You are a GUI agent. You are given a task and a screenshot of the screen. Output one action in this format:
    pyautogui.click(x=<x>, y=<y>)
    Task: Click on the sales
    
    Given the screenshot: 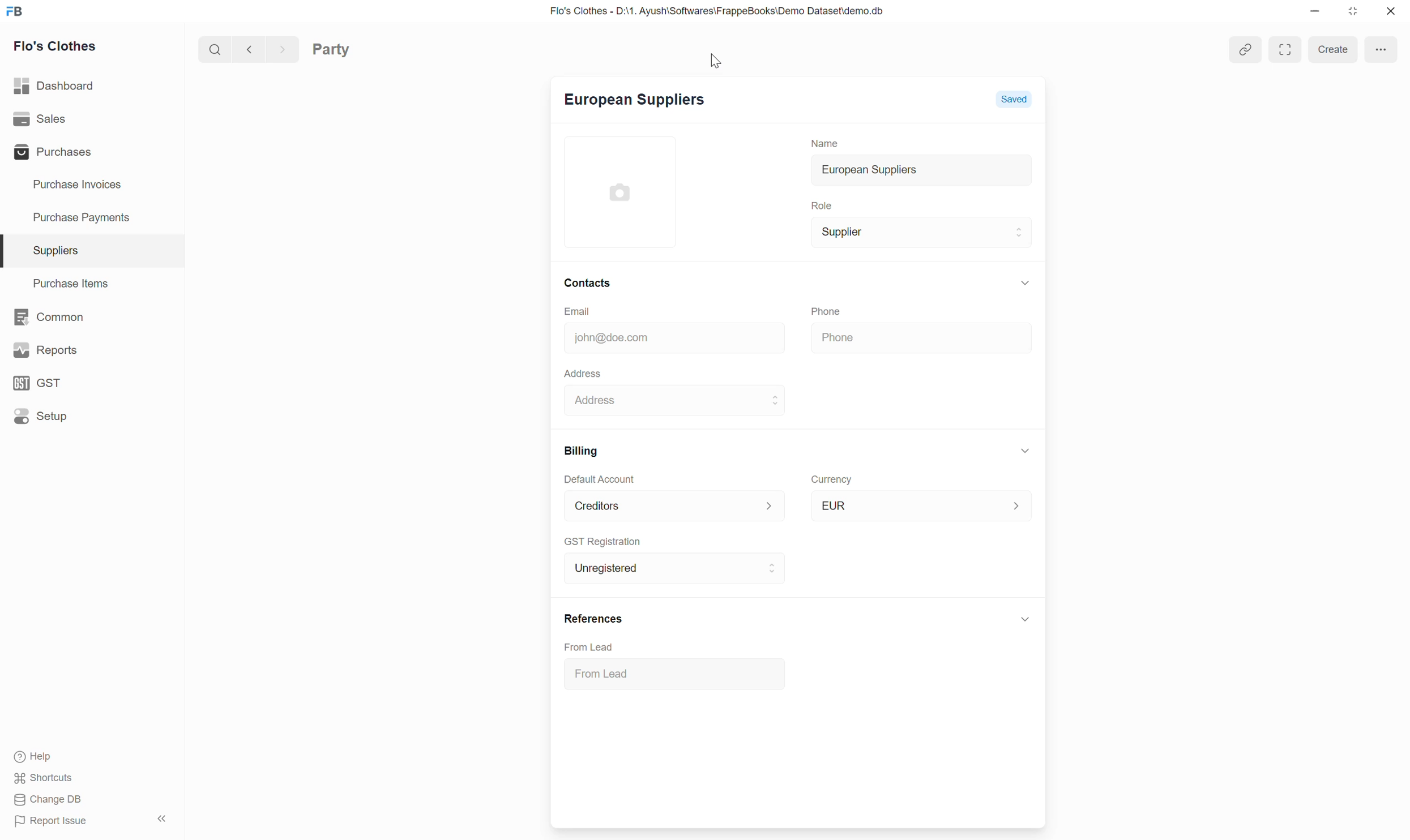 What is the action you would take?
    pyautogui.click(x=39, y=118)
    